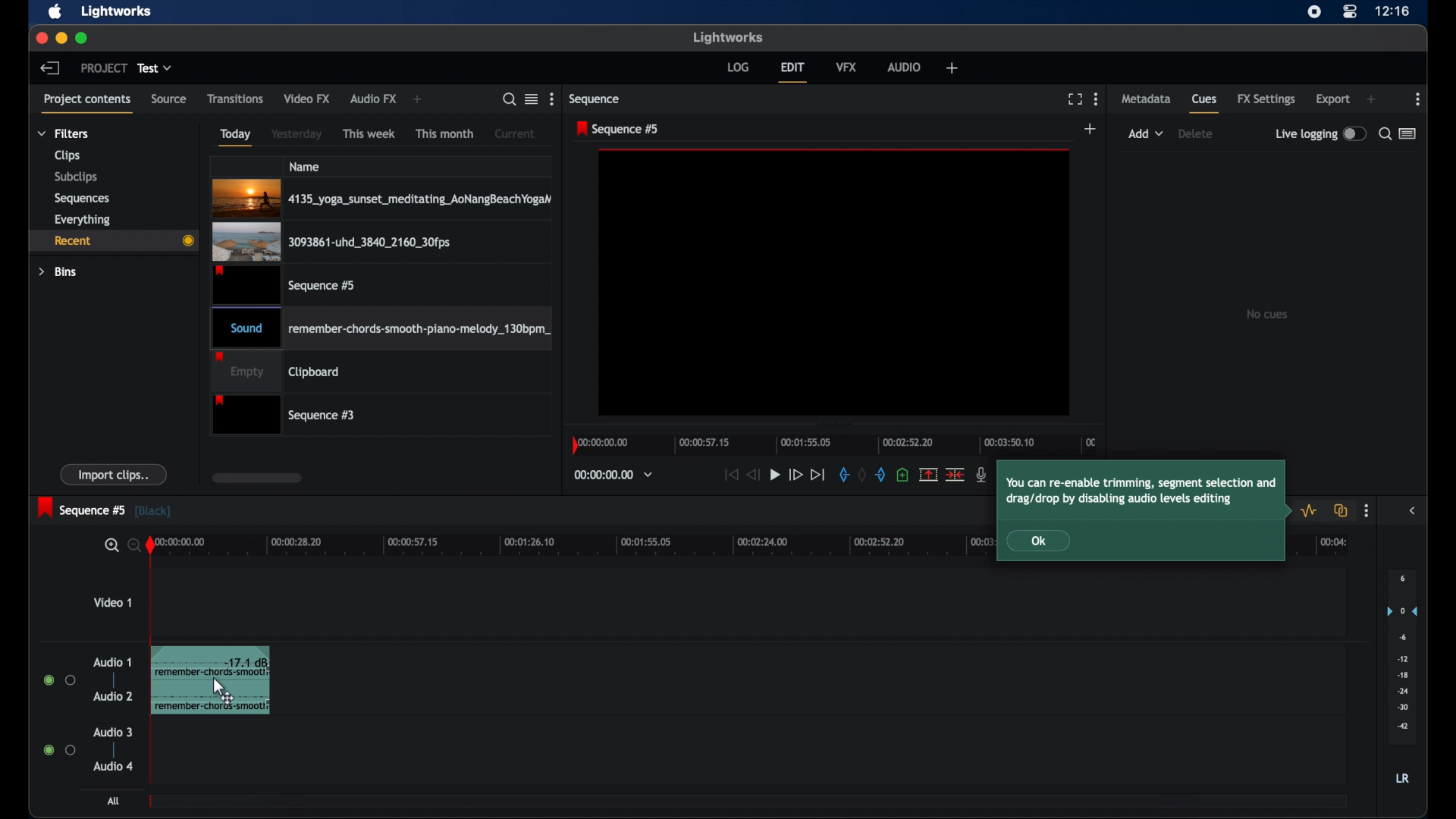 The image size is (1456, 819). I want to click on audio output levels, so click(1401, 655).